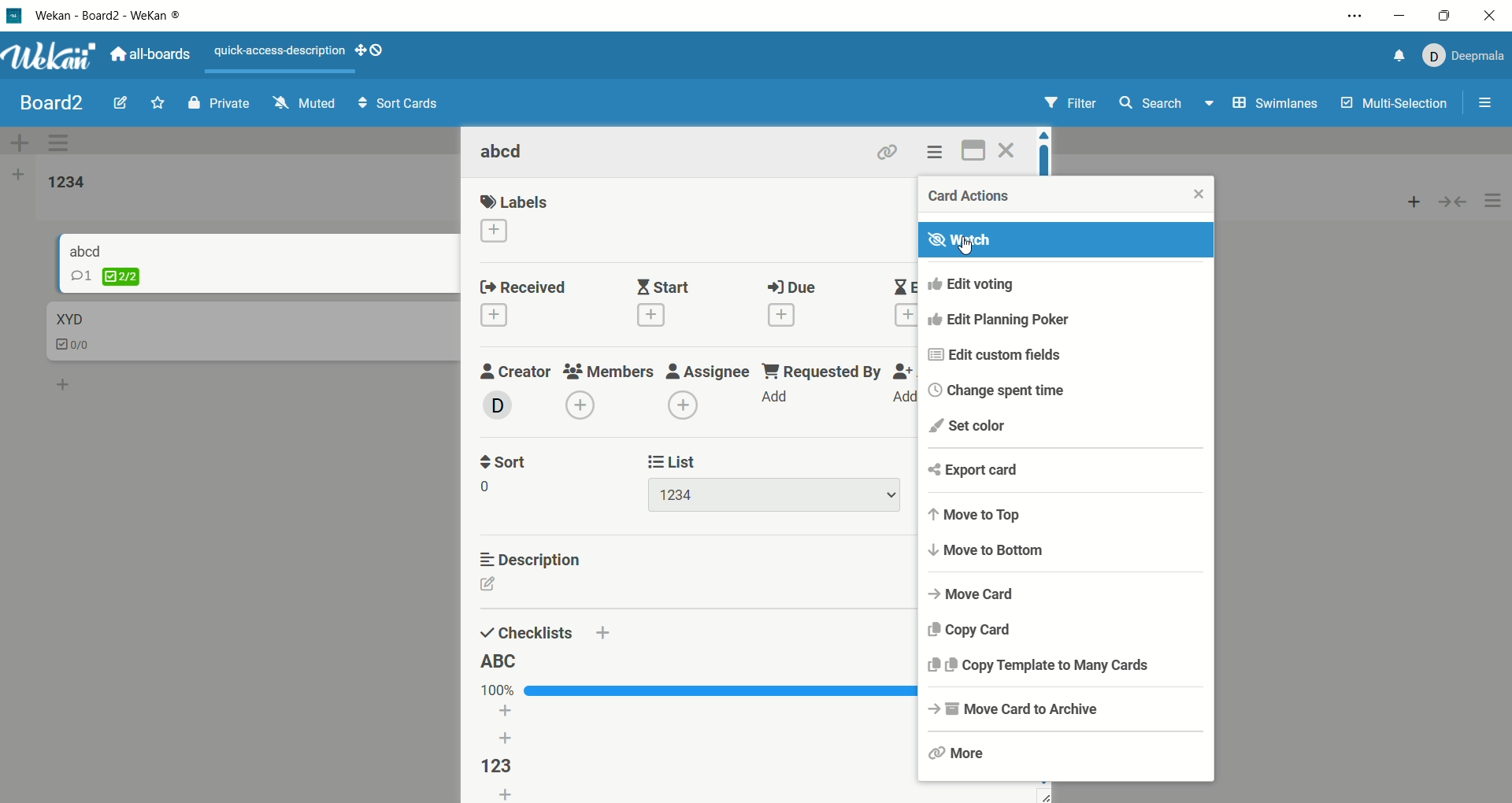 The width and height of the screenshot is (1512, 803). What do you see at coordinates (610, 390) in the screenshot?
I see `members` at bounding box center [610, 390].